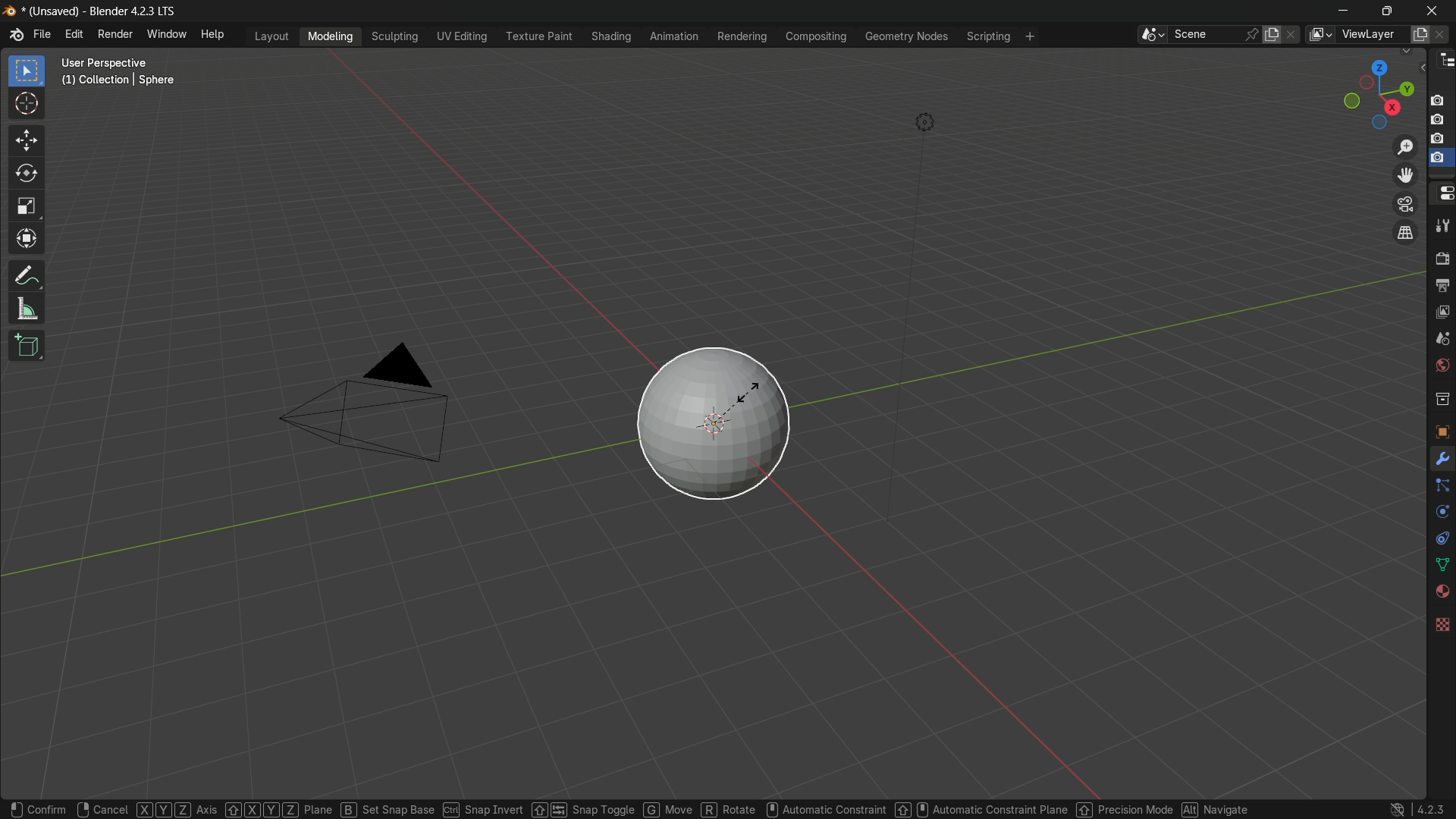  What do you see at coordinates (1442, 229) in the screenshot?
I see `tools` at bounding box center [1442, 229].